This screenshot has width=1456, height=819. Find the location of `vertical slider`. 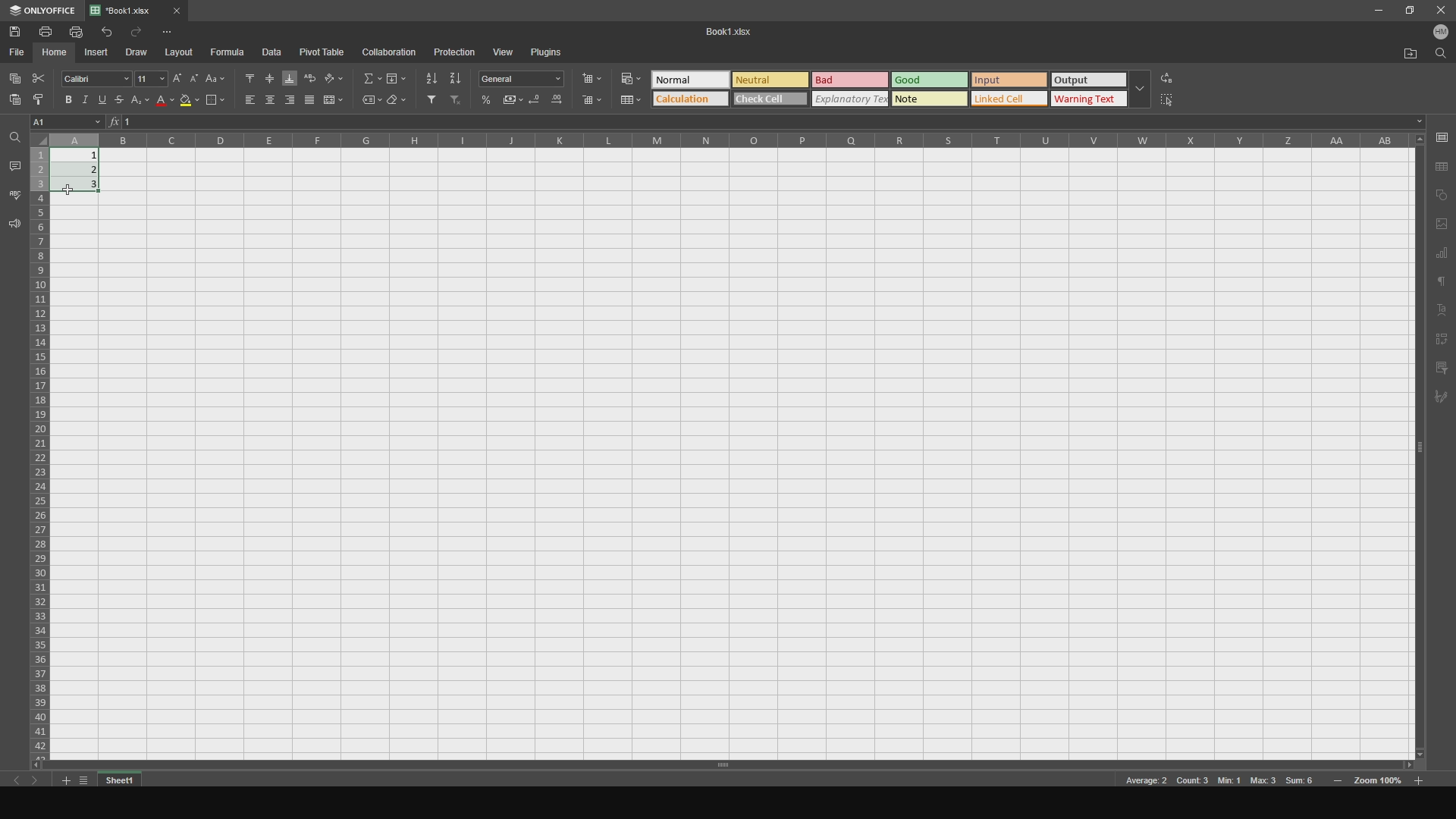

vertical slider is located at coordinates (1420, 459).